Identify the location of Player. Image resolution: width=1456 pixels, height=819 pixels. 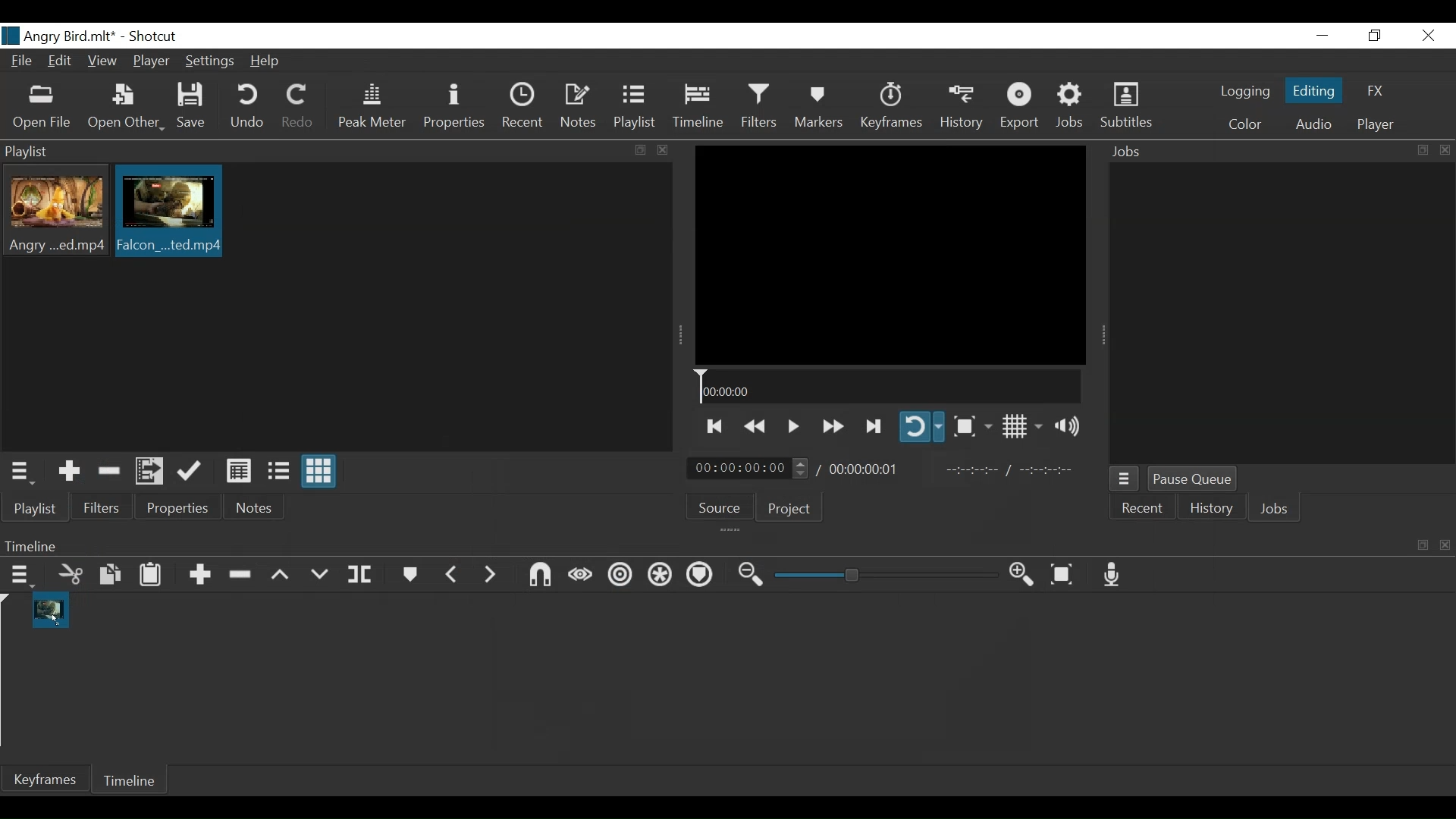
(1376, 125).